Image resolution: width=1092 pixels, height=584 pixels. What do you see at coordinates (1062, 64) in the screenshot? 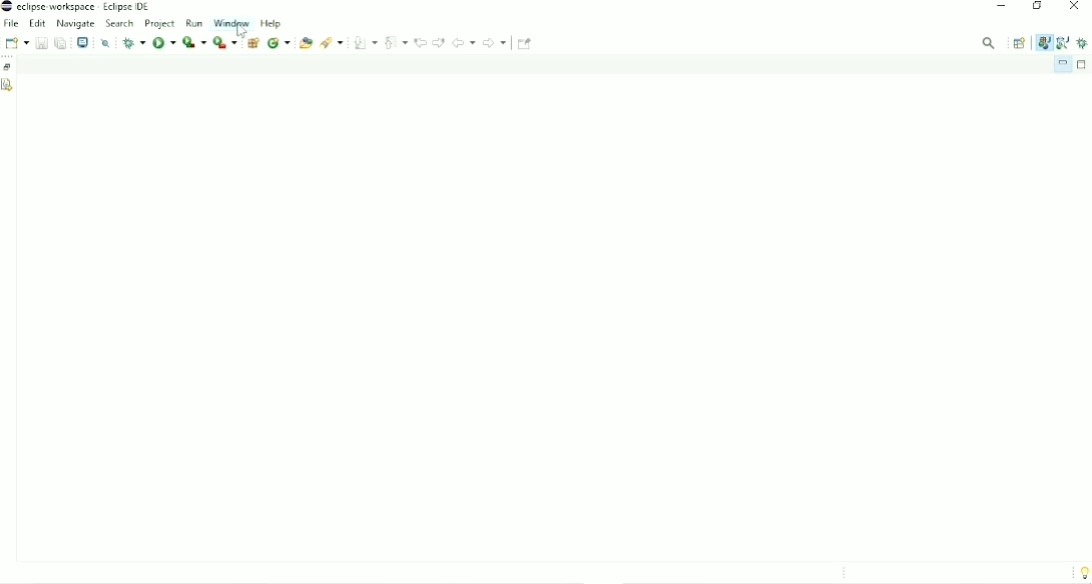
I see `Minimize` at bounding box center [1062, 64].